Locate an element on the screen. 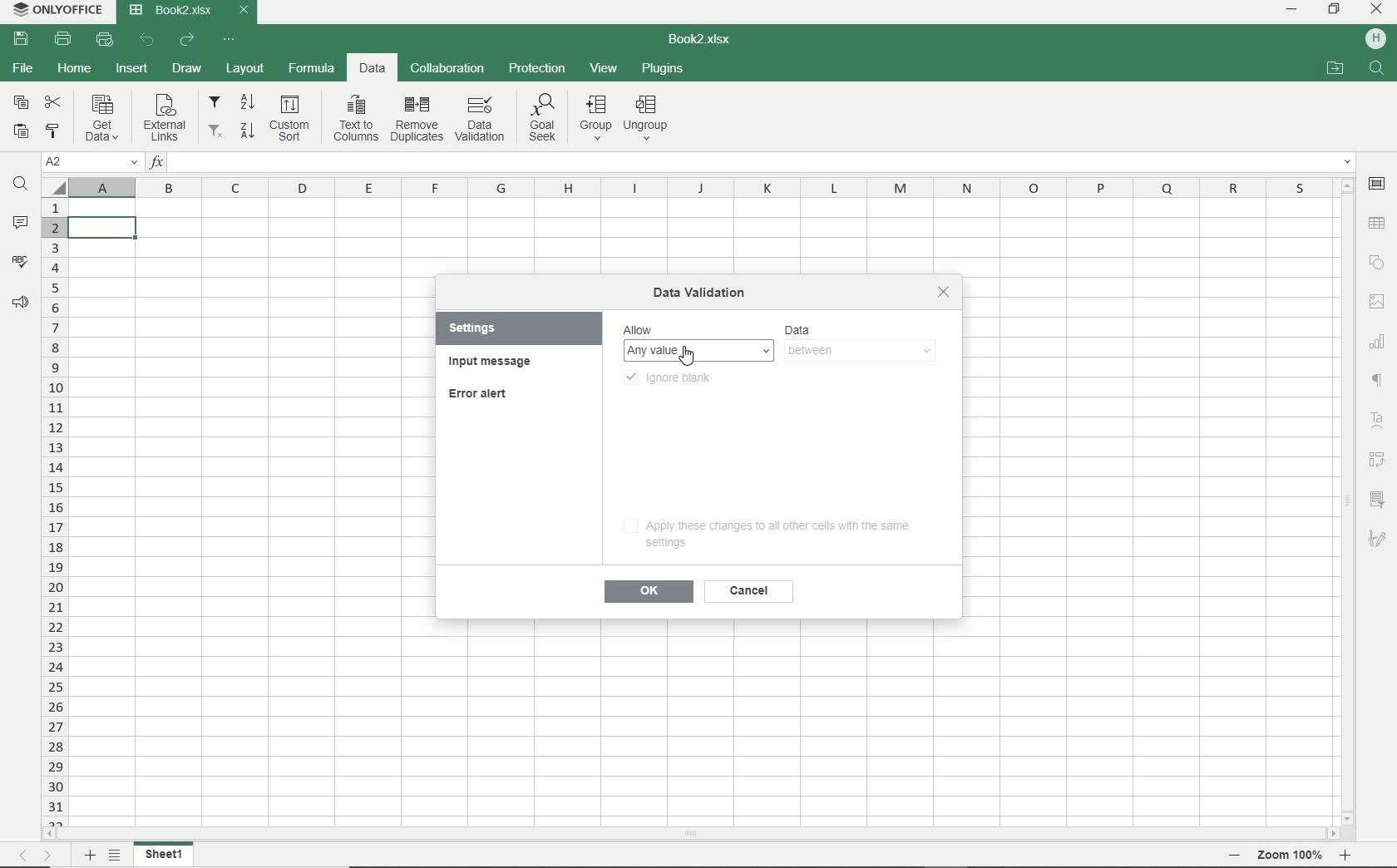  DOCUMENT NAME is located at coordinates (700, 39).